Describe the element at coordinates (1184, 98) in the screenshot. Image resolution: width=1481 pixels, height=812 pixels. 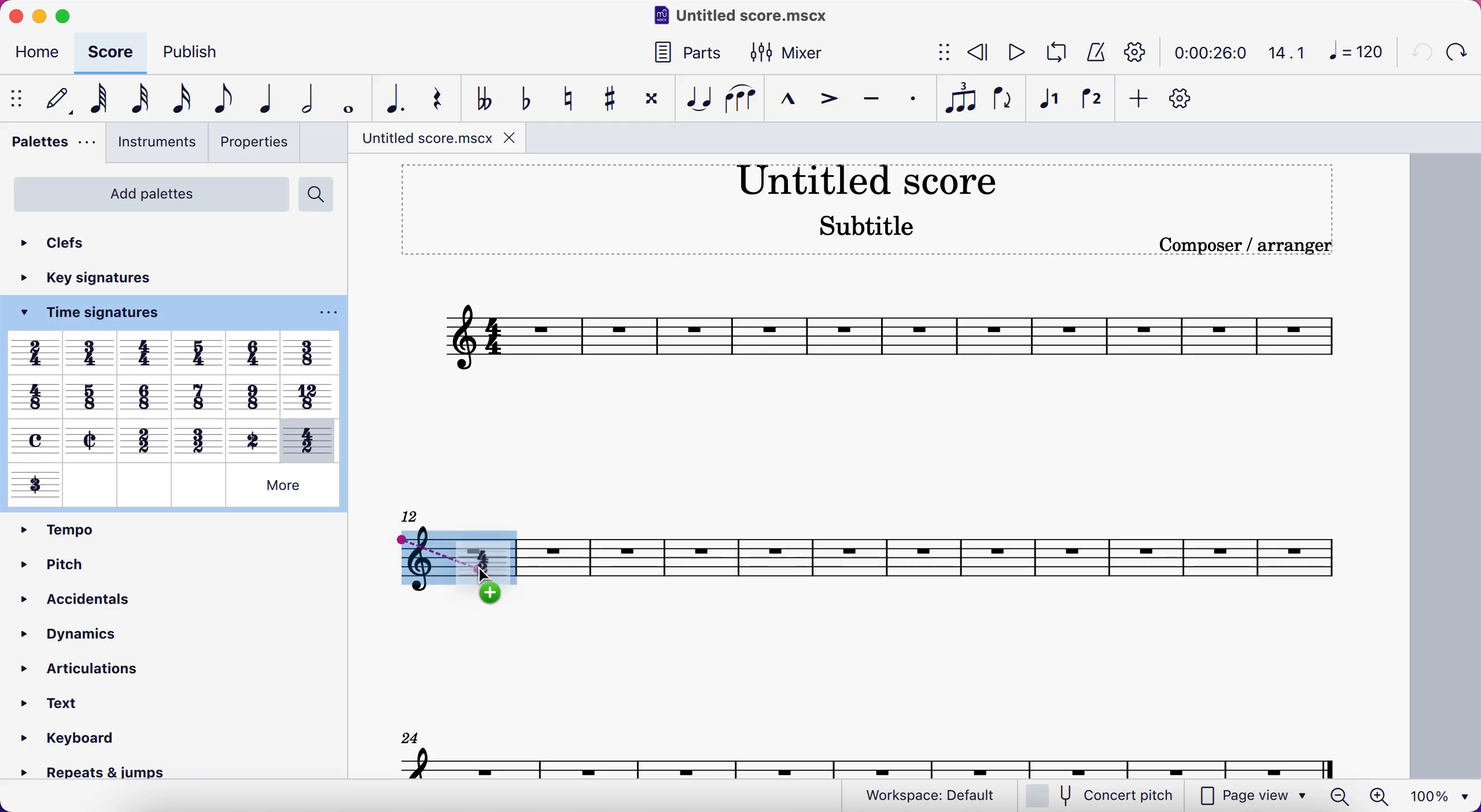
I see `customize toolbar` at that location.